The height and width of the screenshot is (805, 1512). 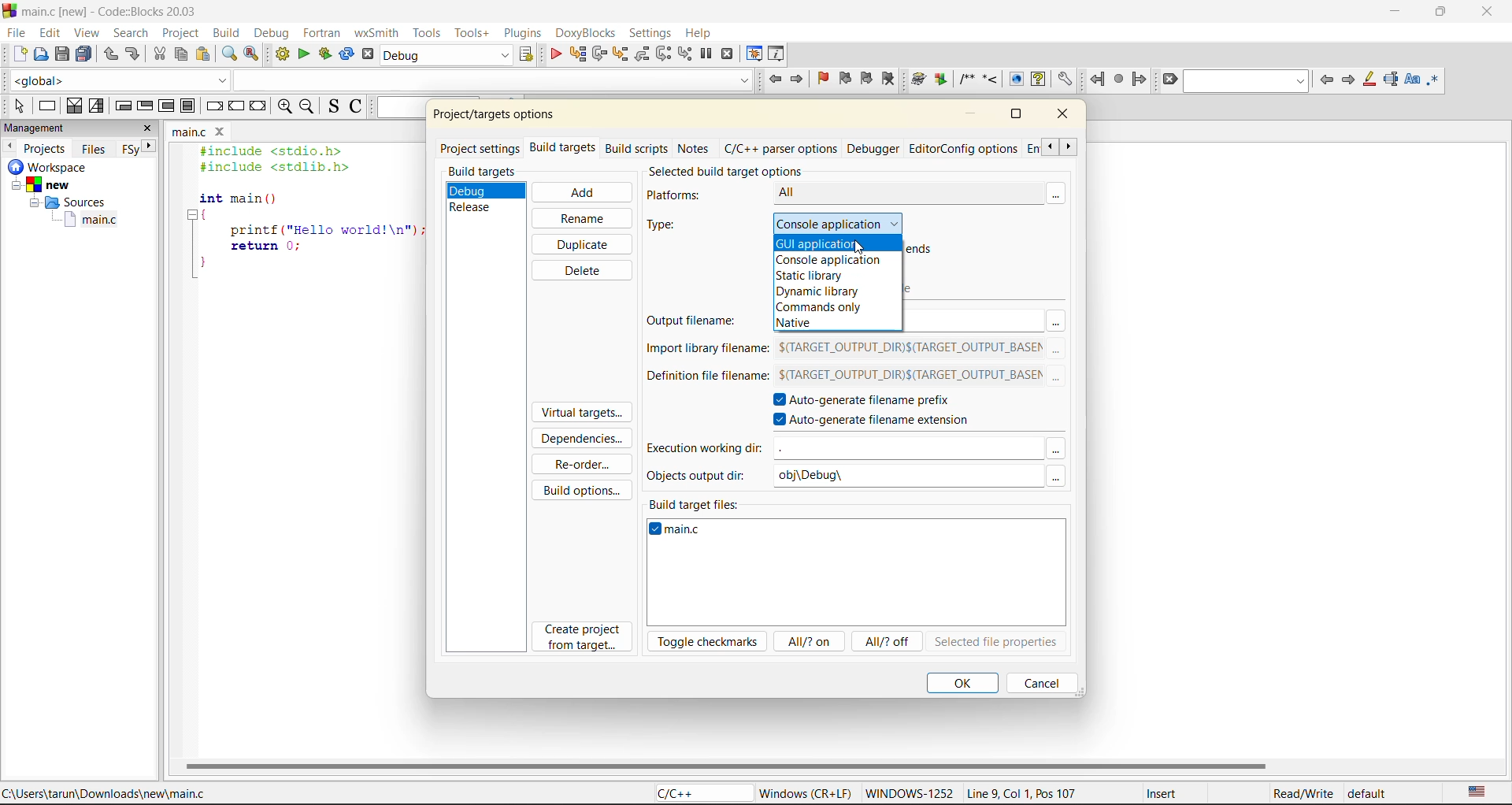 What do you see at coordinates (187, 132) in the screenshot?
I see `main.c` at bounding box center [187, 132].